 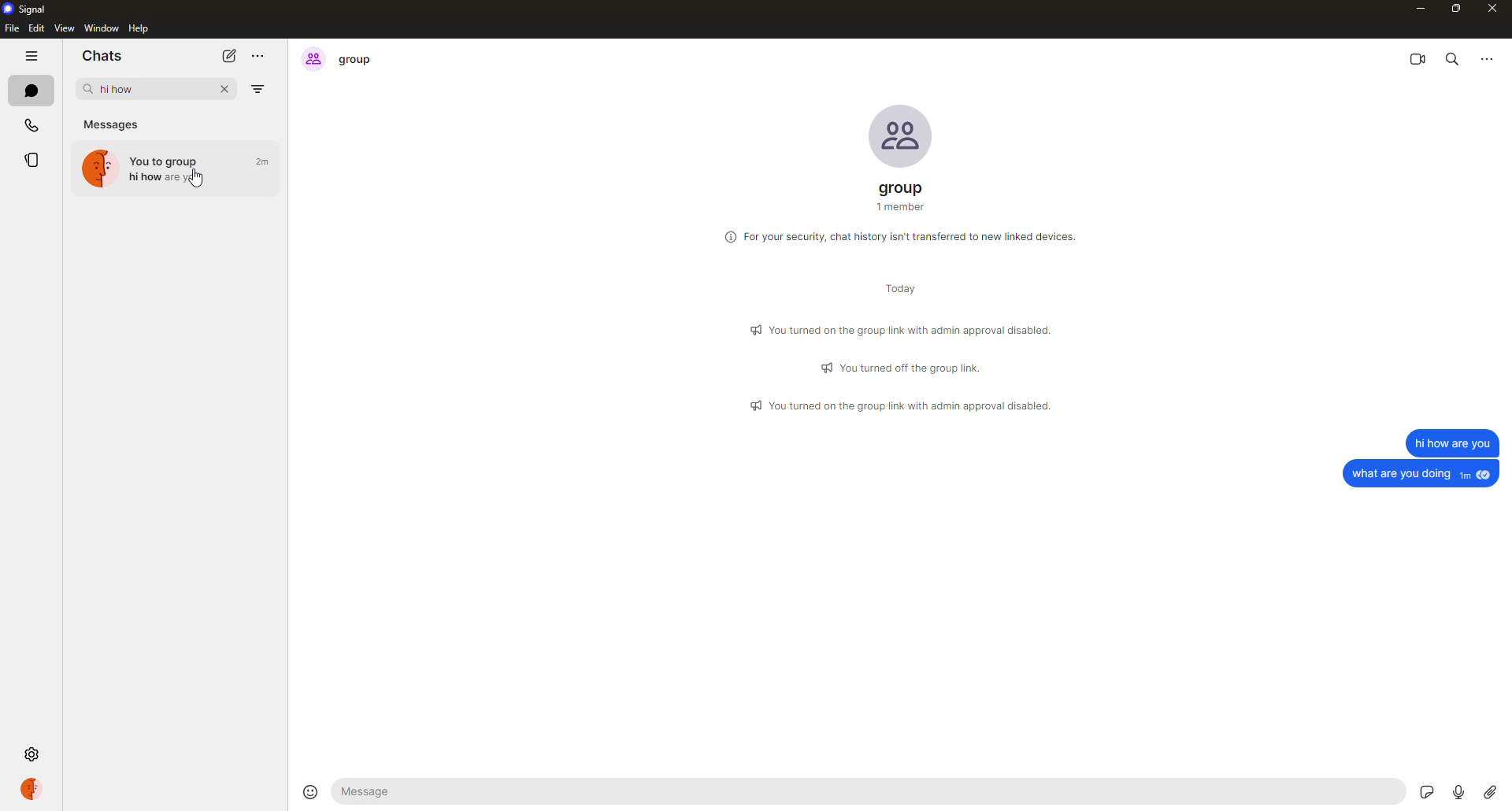 What do you see at coordinates (260, 54) in the screenshot?
I see `more` at bounding box center [260, 54].